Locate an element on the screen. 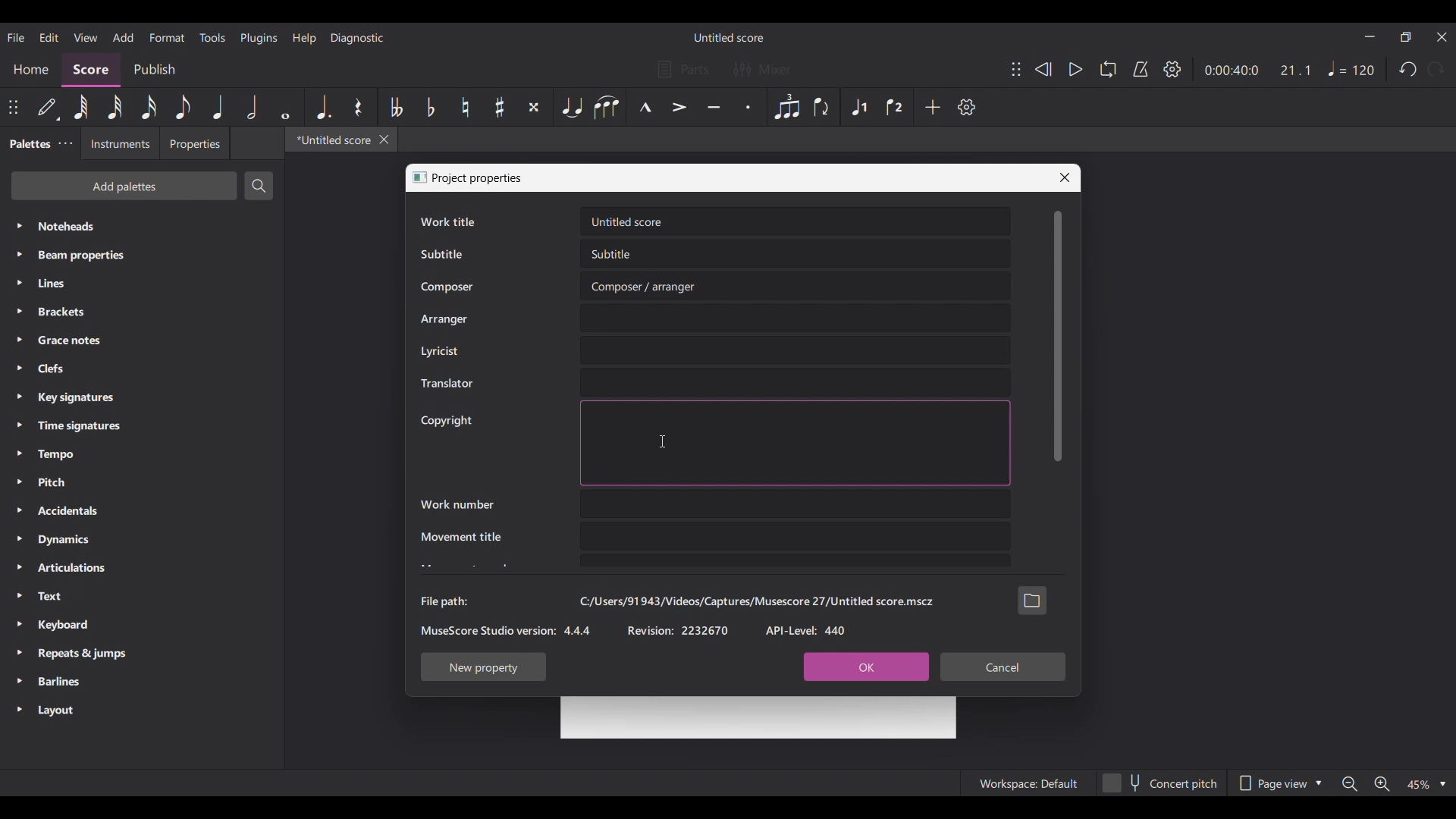 The image size is (1456, 819). View menu is located at coordinates (86, 37).